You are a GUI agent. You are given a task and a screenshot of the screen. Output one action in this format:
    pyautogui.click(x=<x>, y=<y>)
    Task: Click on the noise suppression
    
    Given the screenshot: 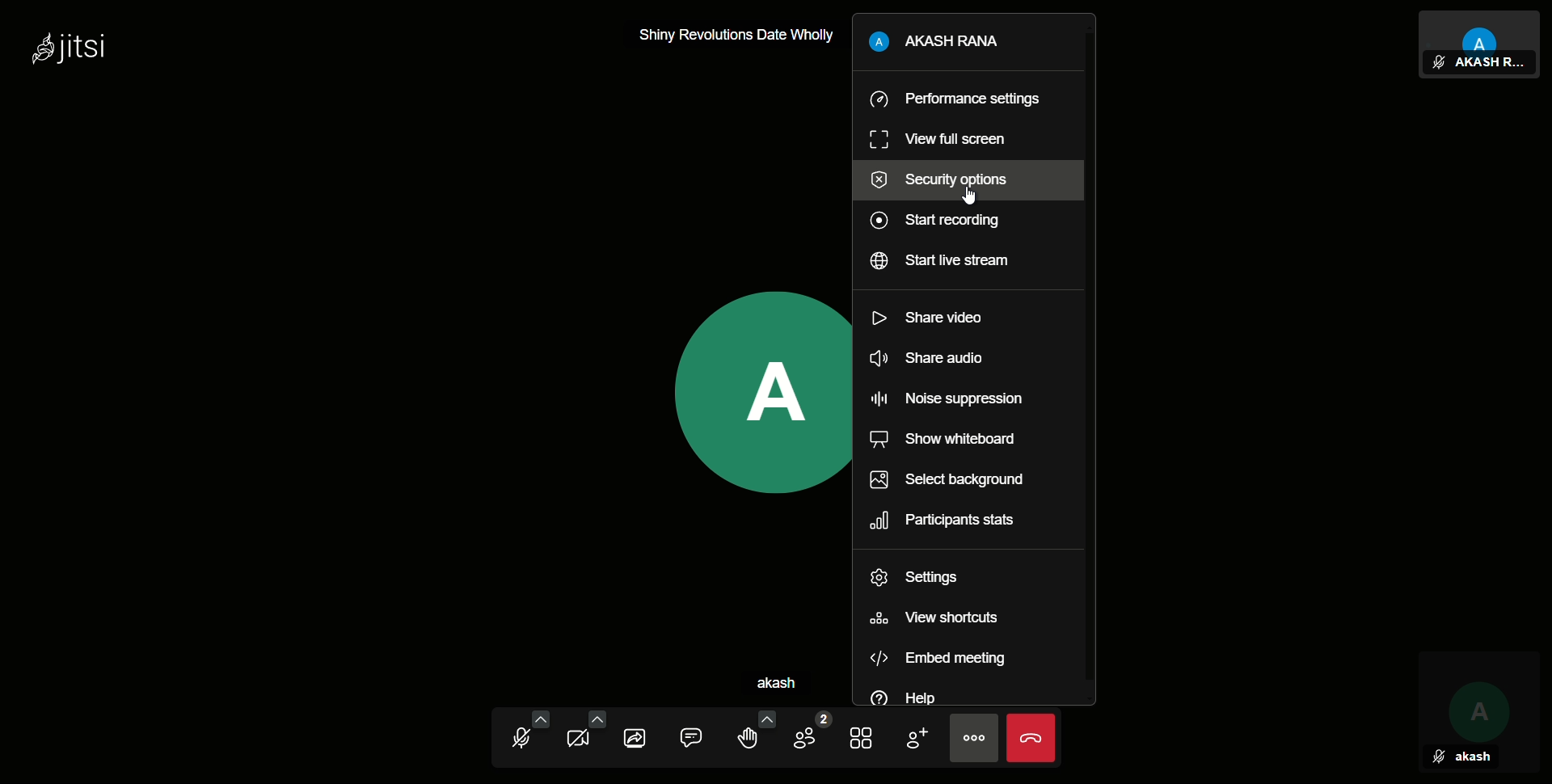 What is the action you would take?
    pyautogui.click(x=948, y=400)
    